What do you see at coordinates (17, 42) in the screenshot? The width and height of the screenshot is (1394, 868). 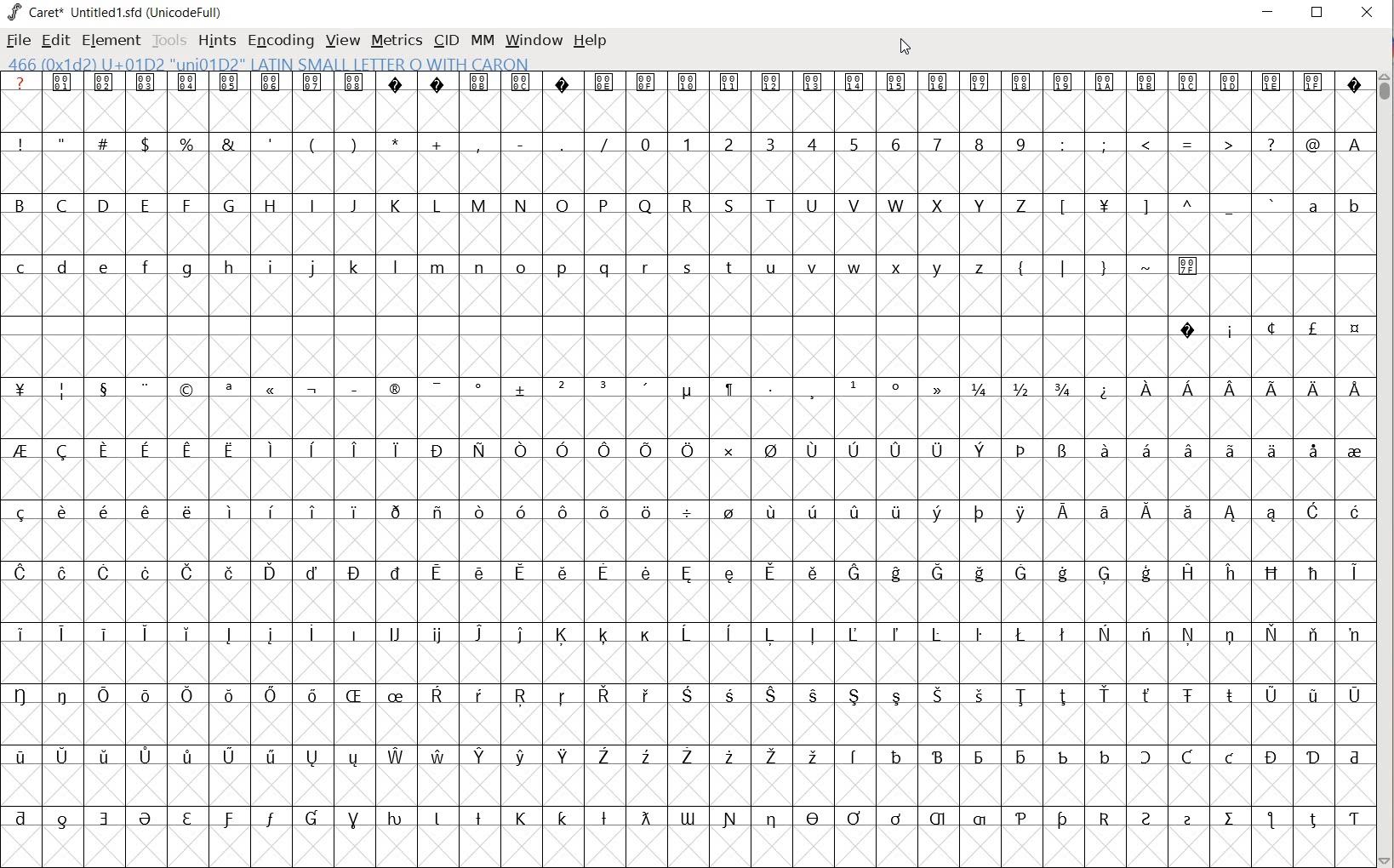 I see `FILE` at bounding box center [17, 42].